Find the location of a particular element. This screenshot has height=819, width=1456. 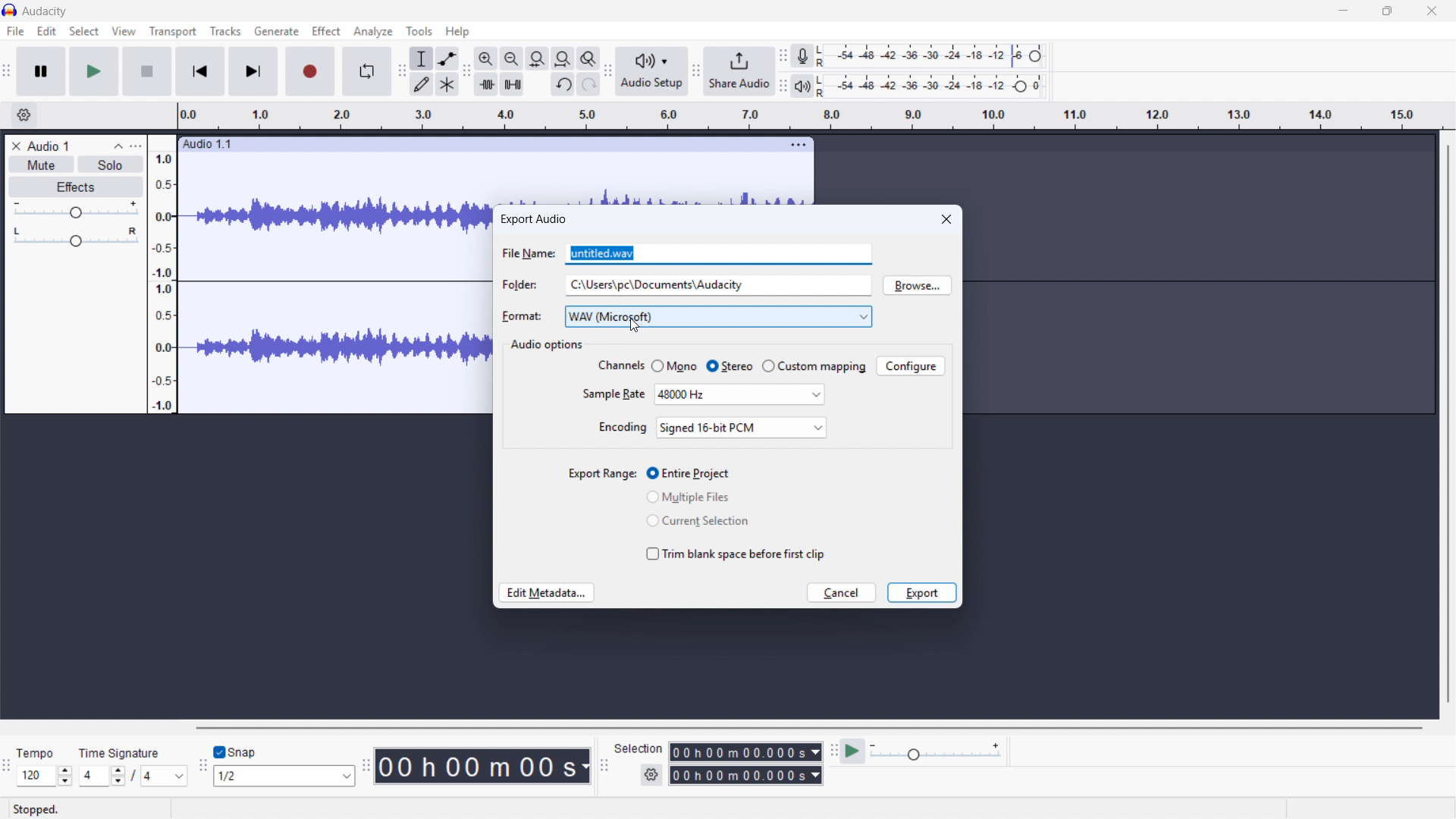

Trim audio outside selection  is located at coordinates (485, 84).